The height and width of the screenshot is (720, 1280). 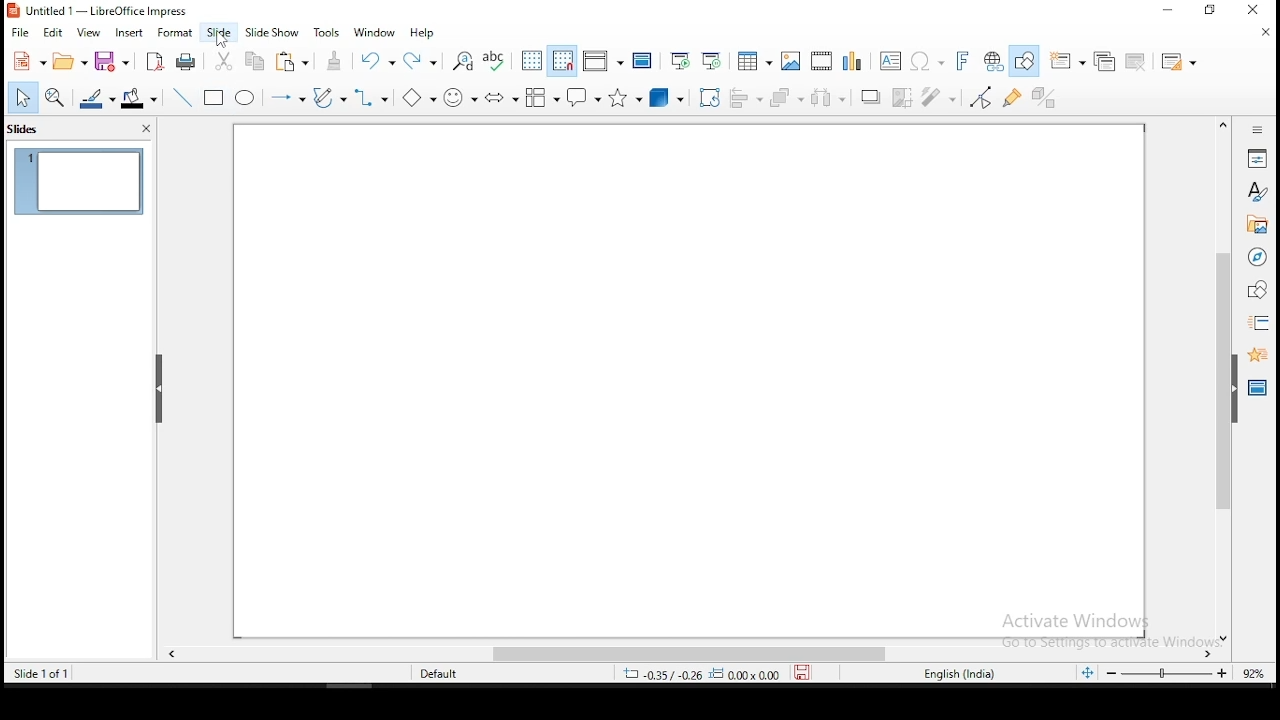 I want to click on scroll bar, so click(x=686, y=654).